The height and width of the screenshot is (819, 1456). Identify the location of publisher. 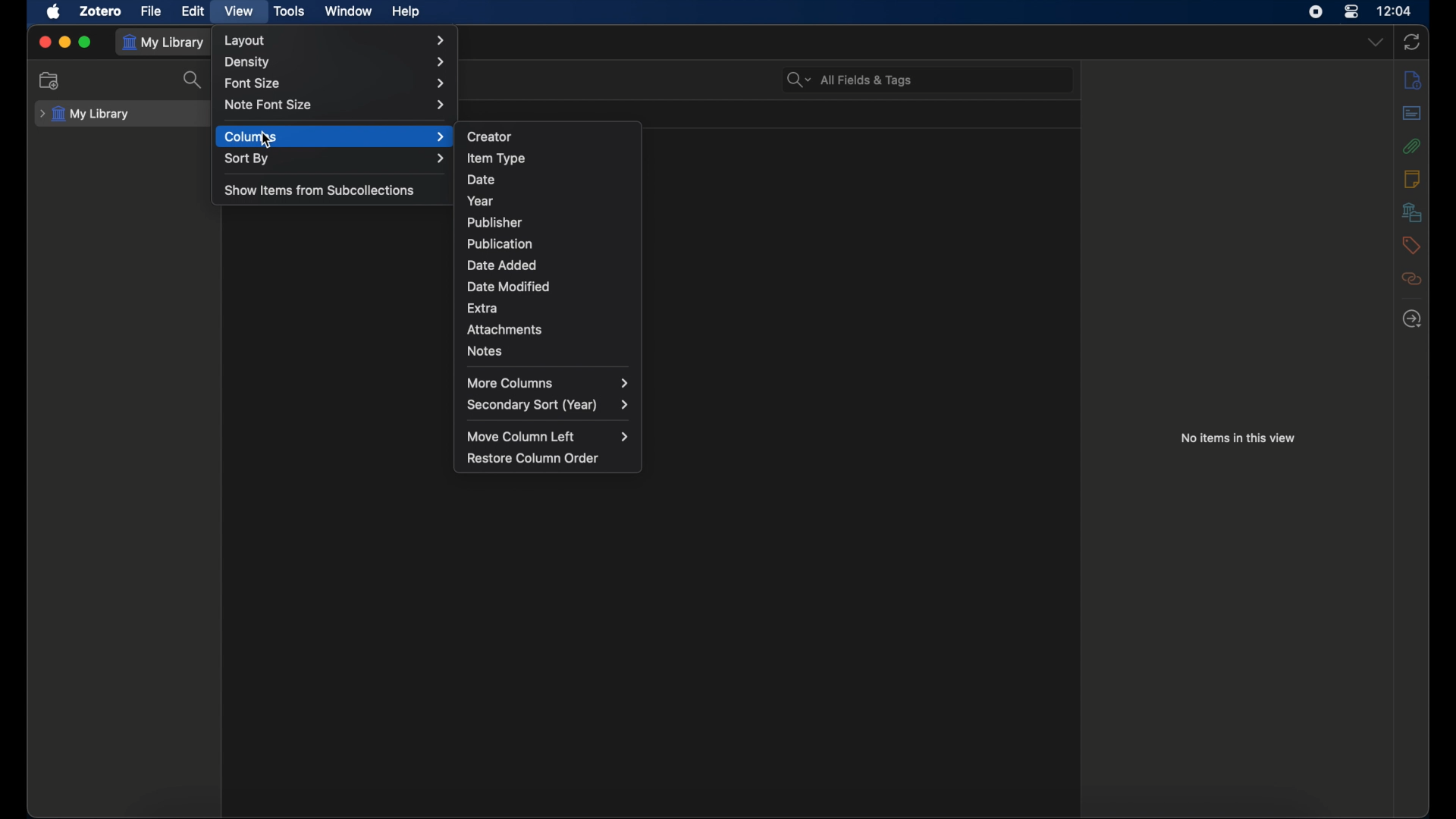
(495, 222).